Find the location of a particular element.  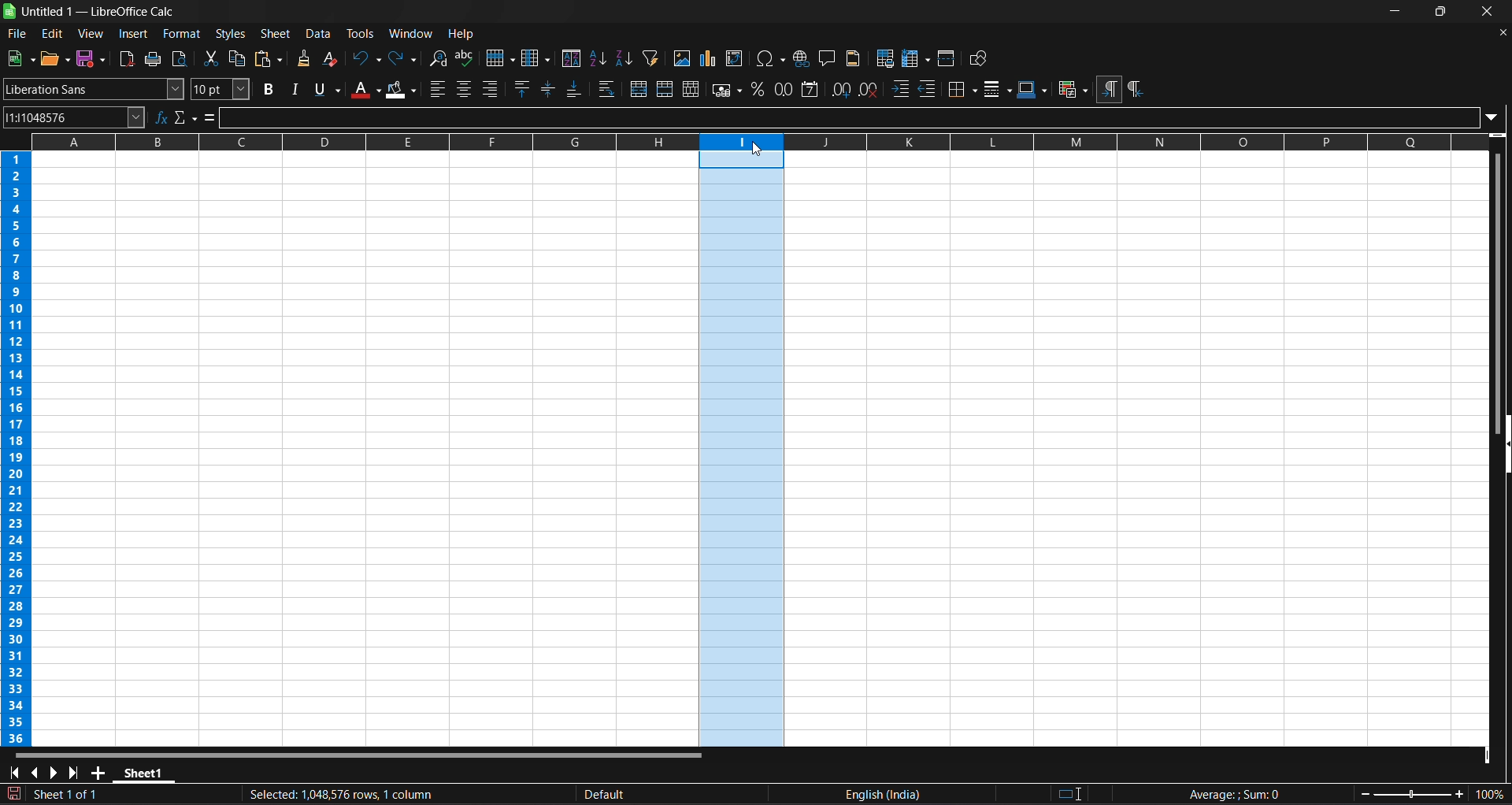

border color is located at coordinates (1034, 87).